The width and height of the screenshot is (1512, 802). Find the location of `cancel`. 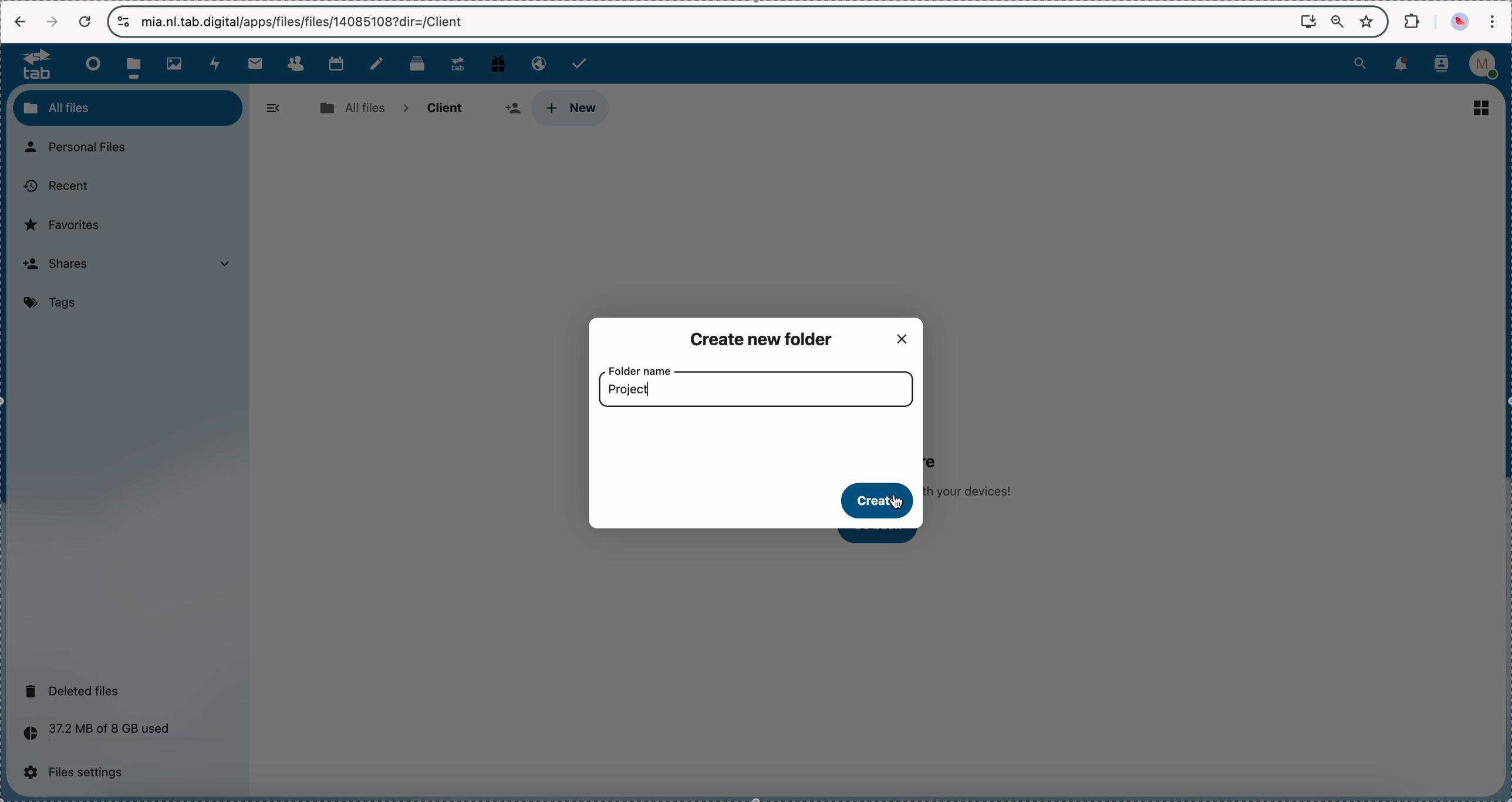

cancel is located at coordinates (84, 22).